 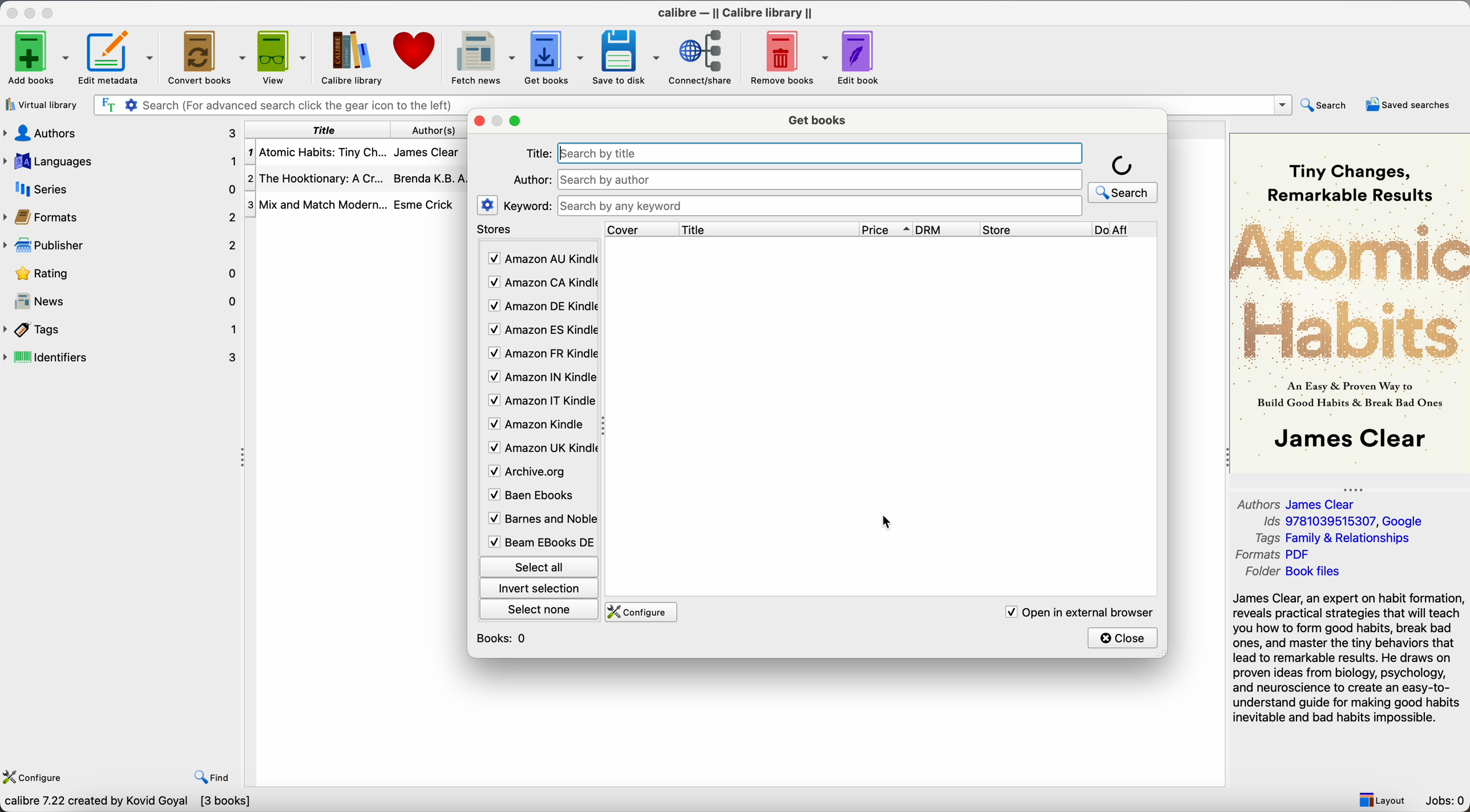 I want to click on Formats PDF, so click(x=1283, y=555).